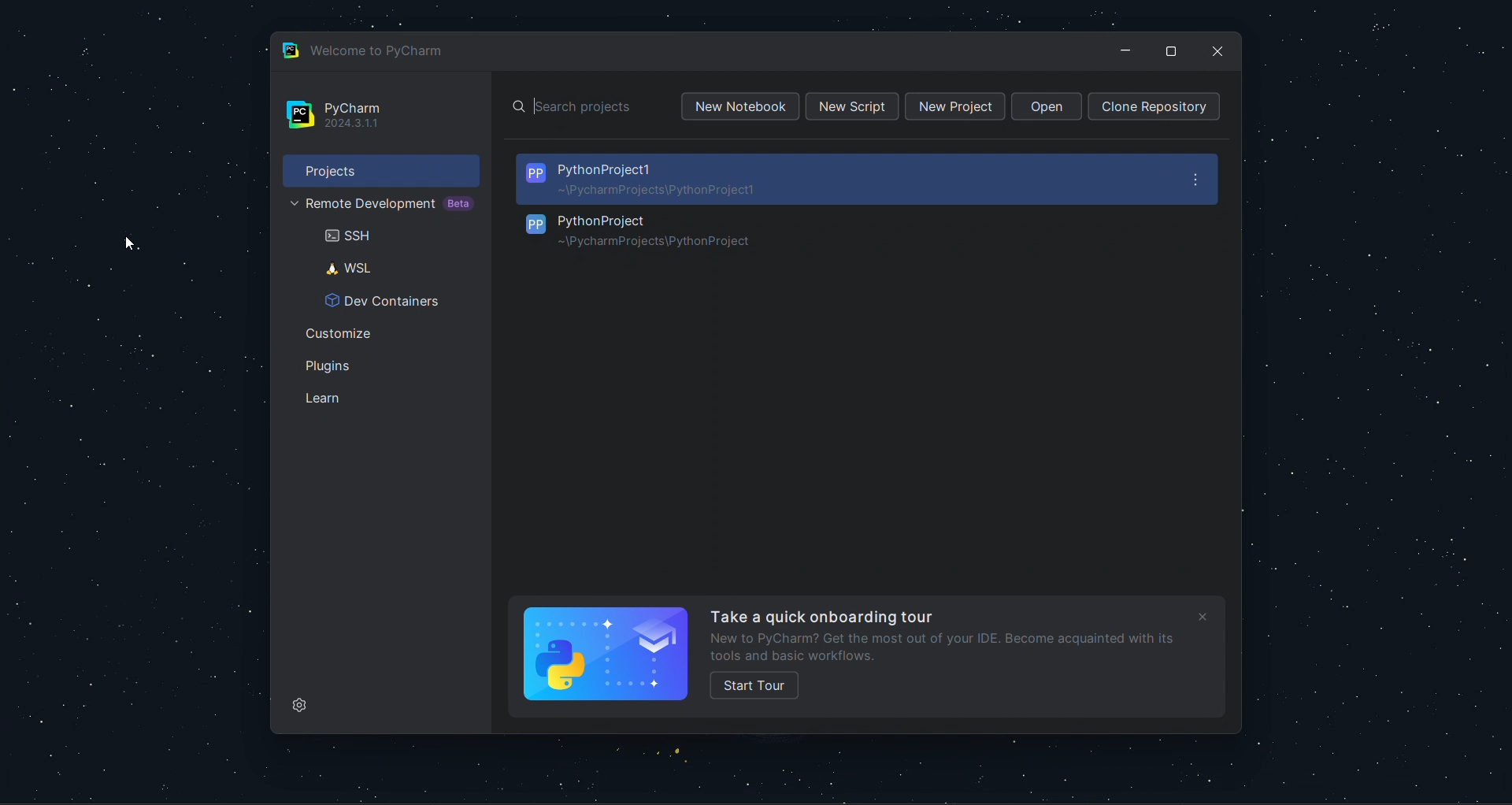 The image size is (1512, 805). What do you see at coordinates (846, 105) in the screenshot?
I see `new script ` at bounding box center [846, 105].